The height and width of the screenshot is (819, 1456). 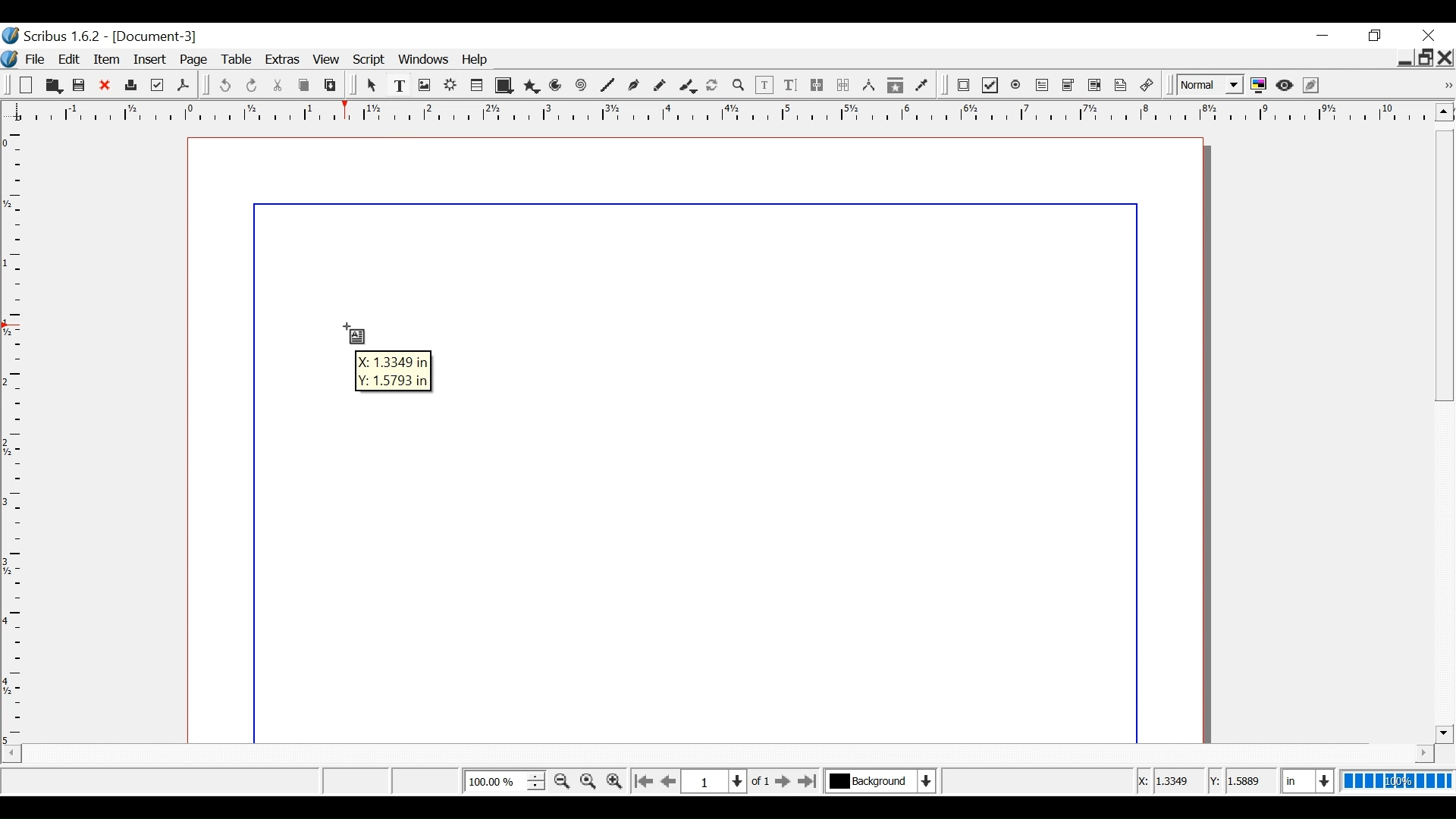 What do you see at coordinates (1395, 781) in the screenshot?
I see `100%` at bounding box center [1395, 781].